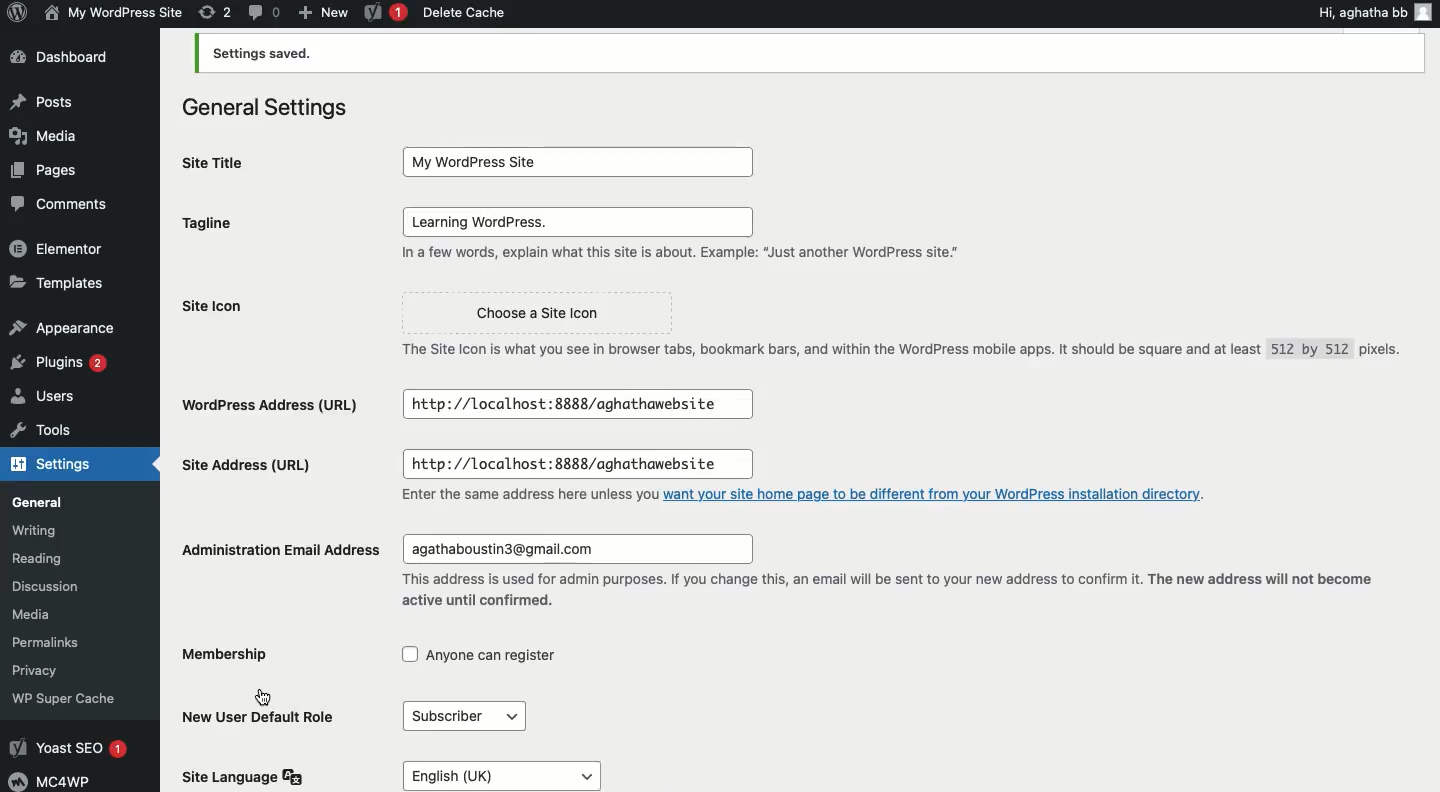  Describe the element at coordinates (61, 399) in the screenshot. I see `Users` at that location.